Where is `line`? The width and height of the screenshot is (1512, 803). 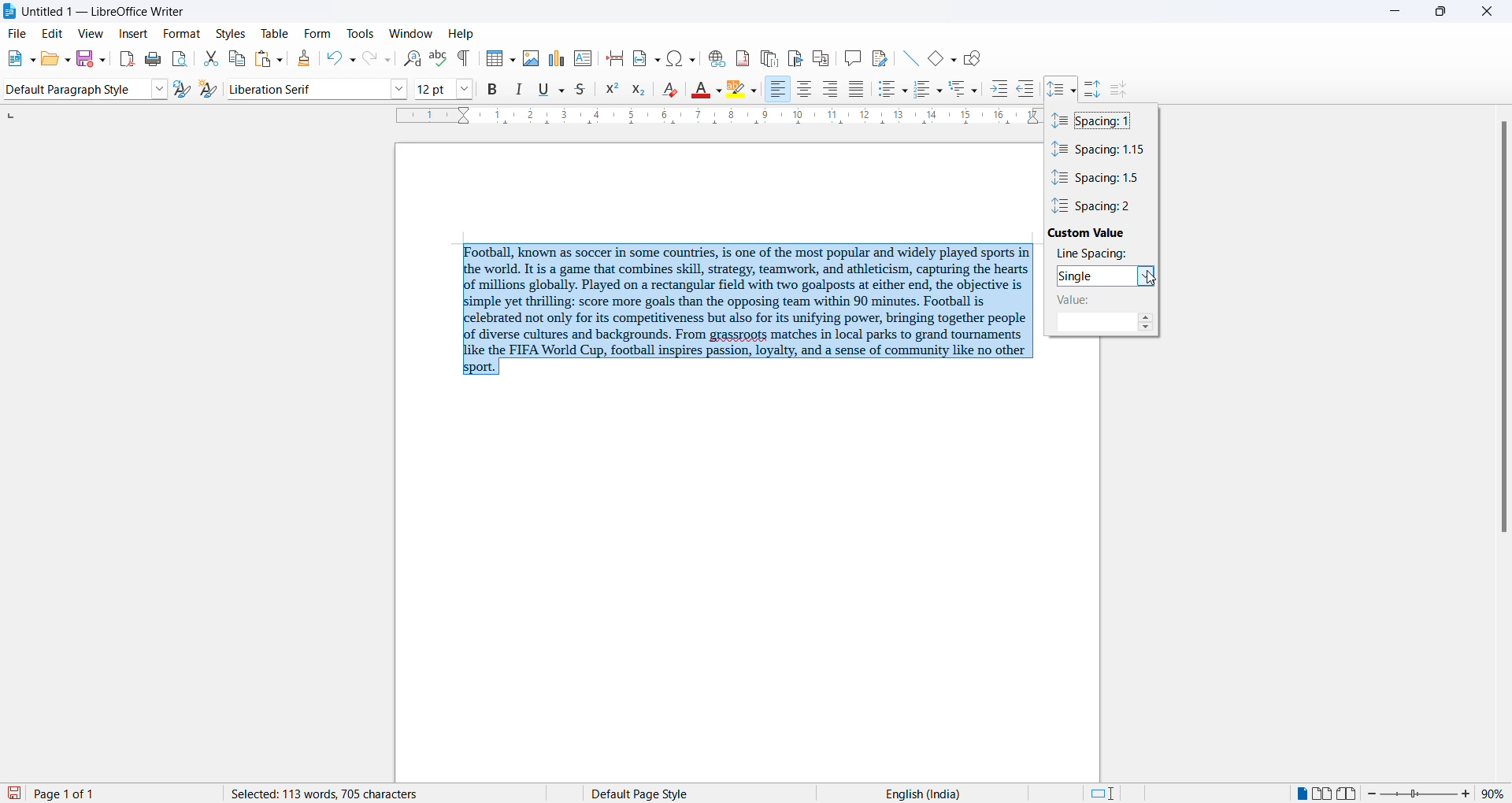
line is located at coordinates (908, 58).